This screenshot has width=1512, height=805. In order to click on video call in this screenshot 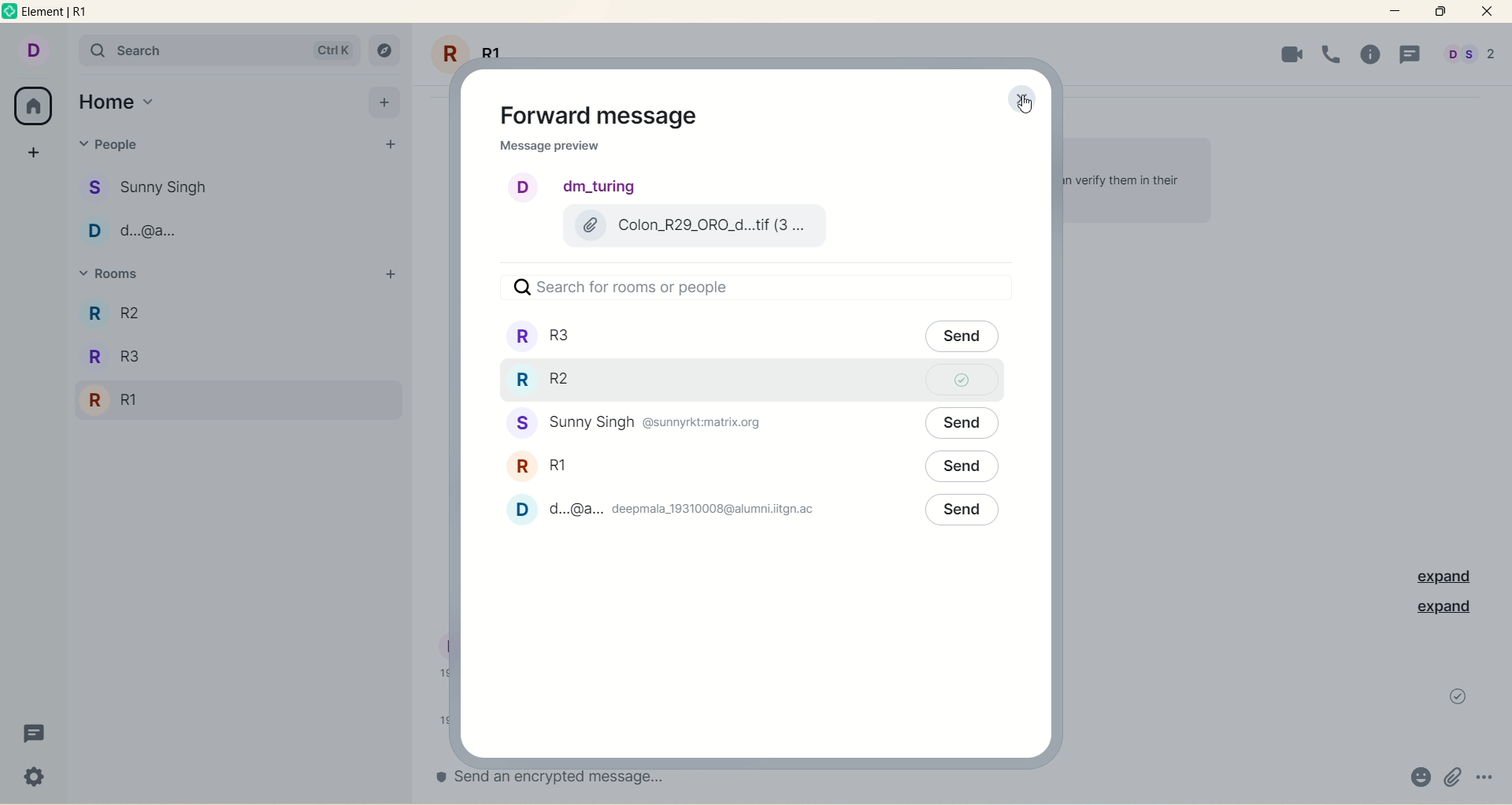, I will do `click(1287, 54)`.